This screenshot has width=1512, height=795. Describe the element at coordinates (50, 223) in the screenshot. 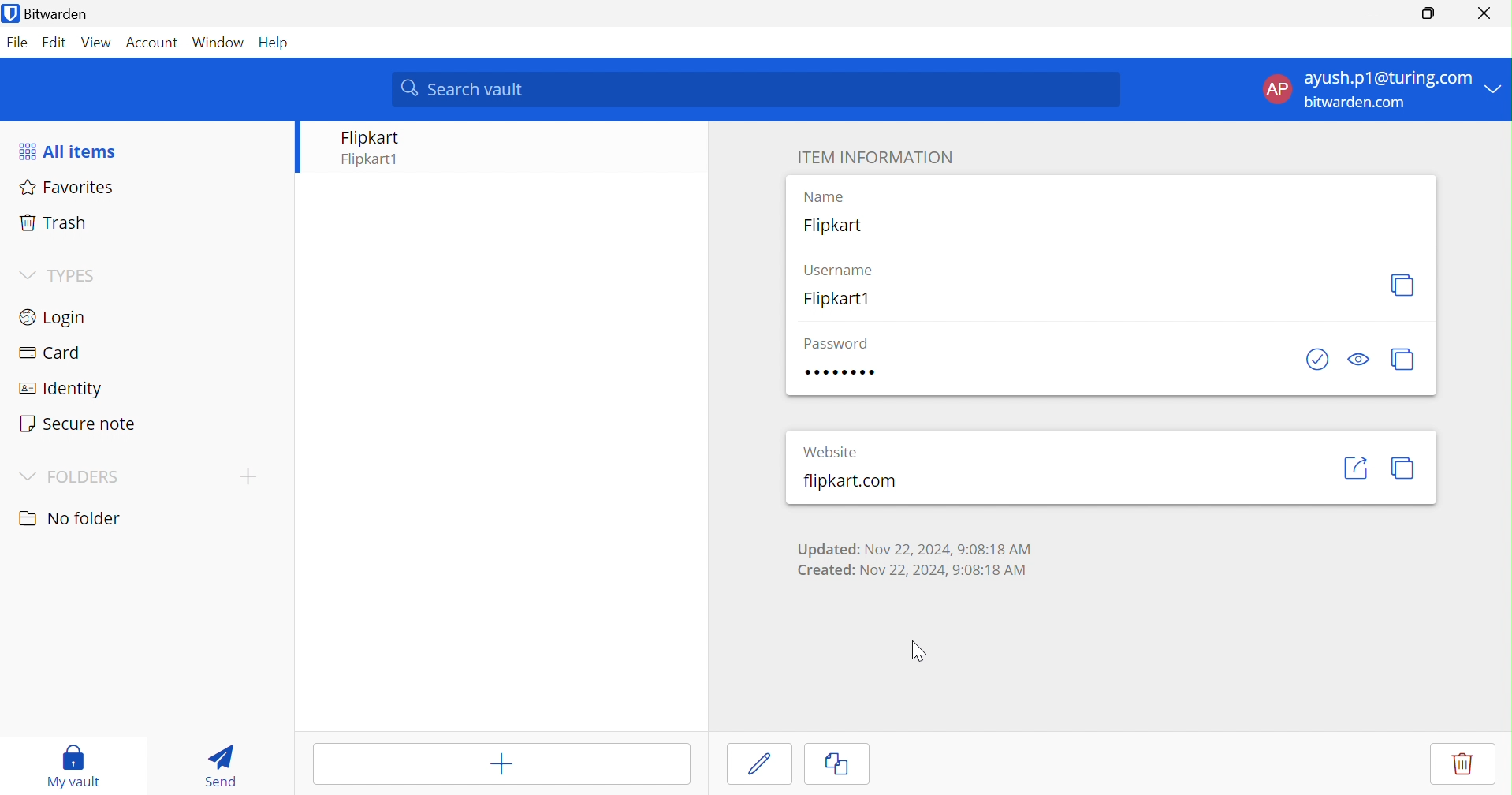

I see `Trash` at that location.